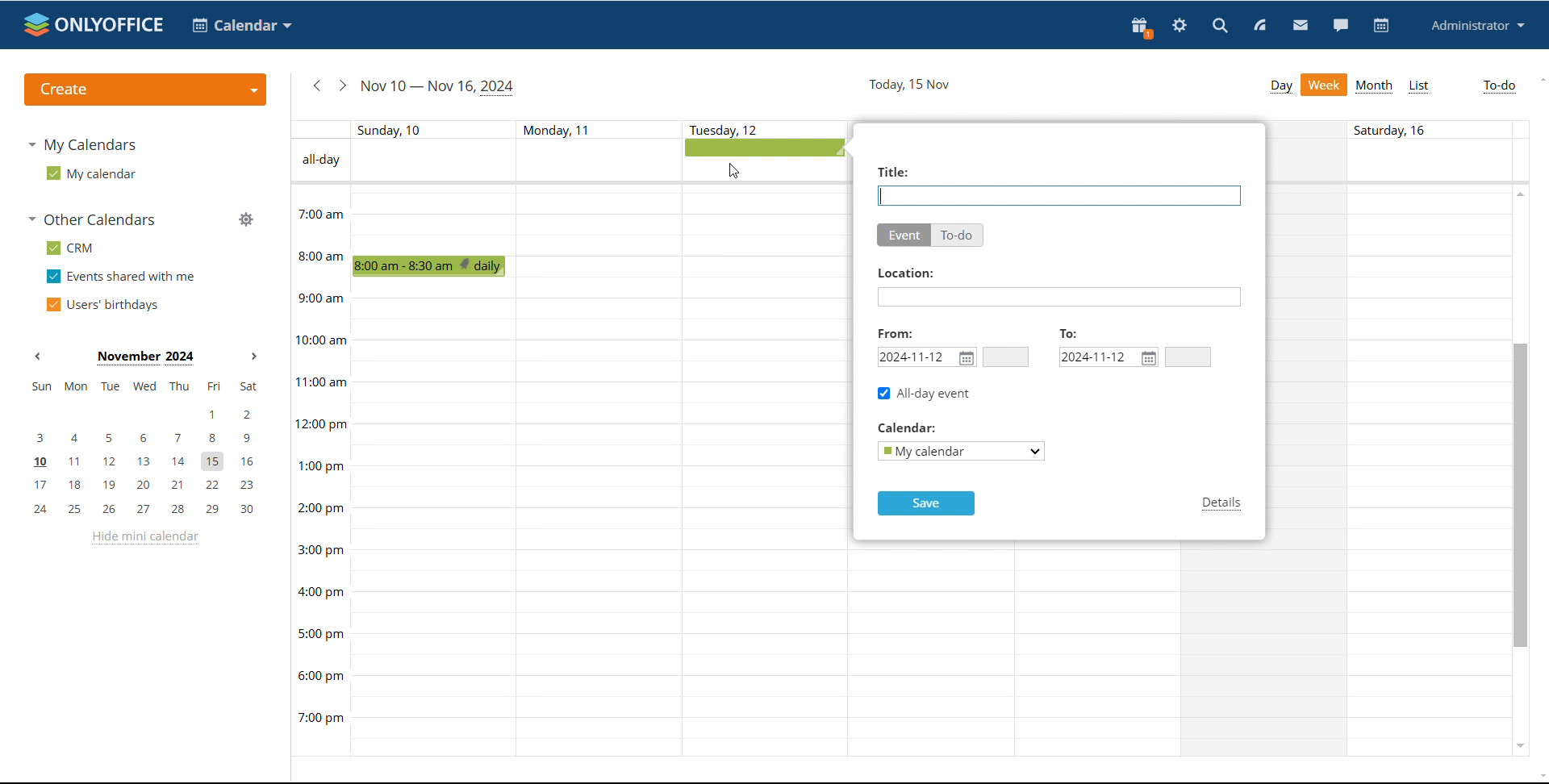 The image size is (1549, 784). I want to click on select application, so click(244, 25).